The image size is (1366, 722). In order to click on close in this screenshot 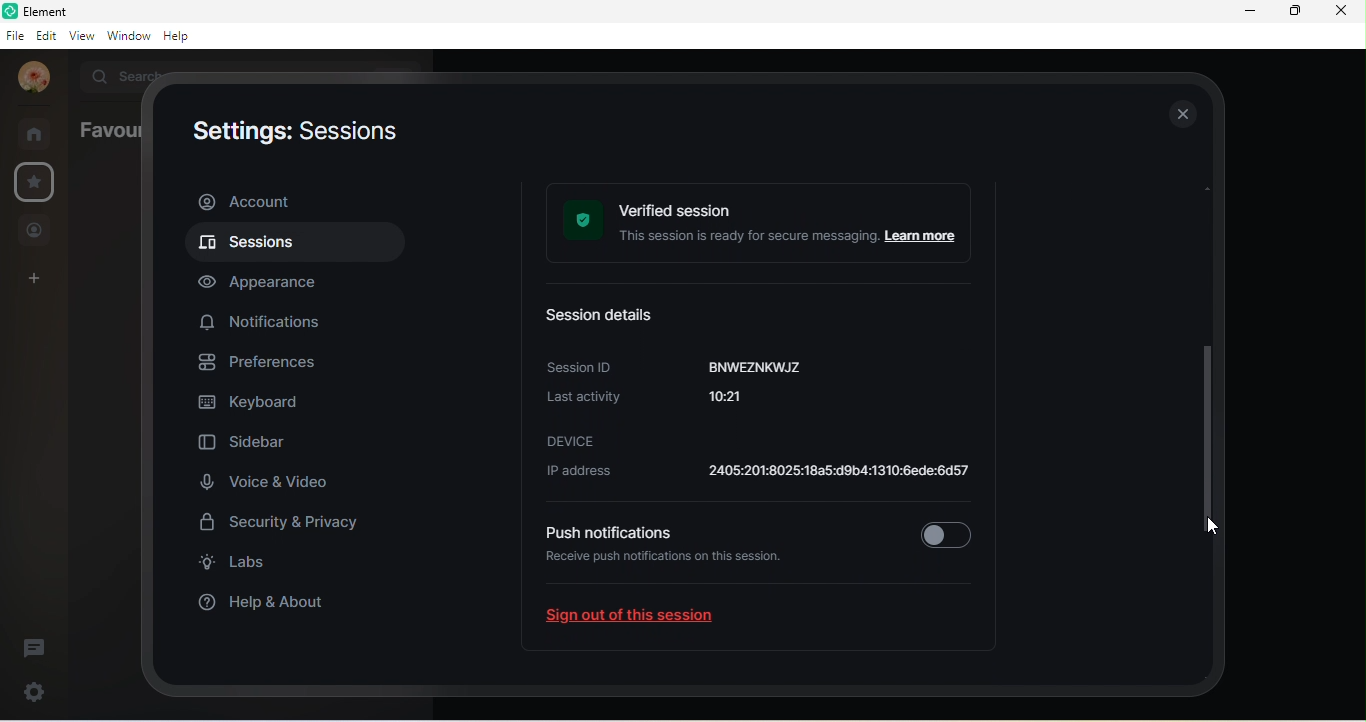, I will do `click(1181, 113)`.